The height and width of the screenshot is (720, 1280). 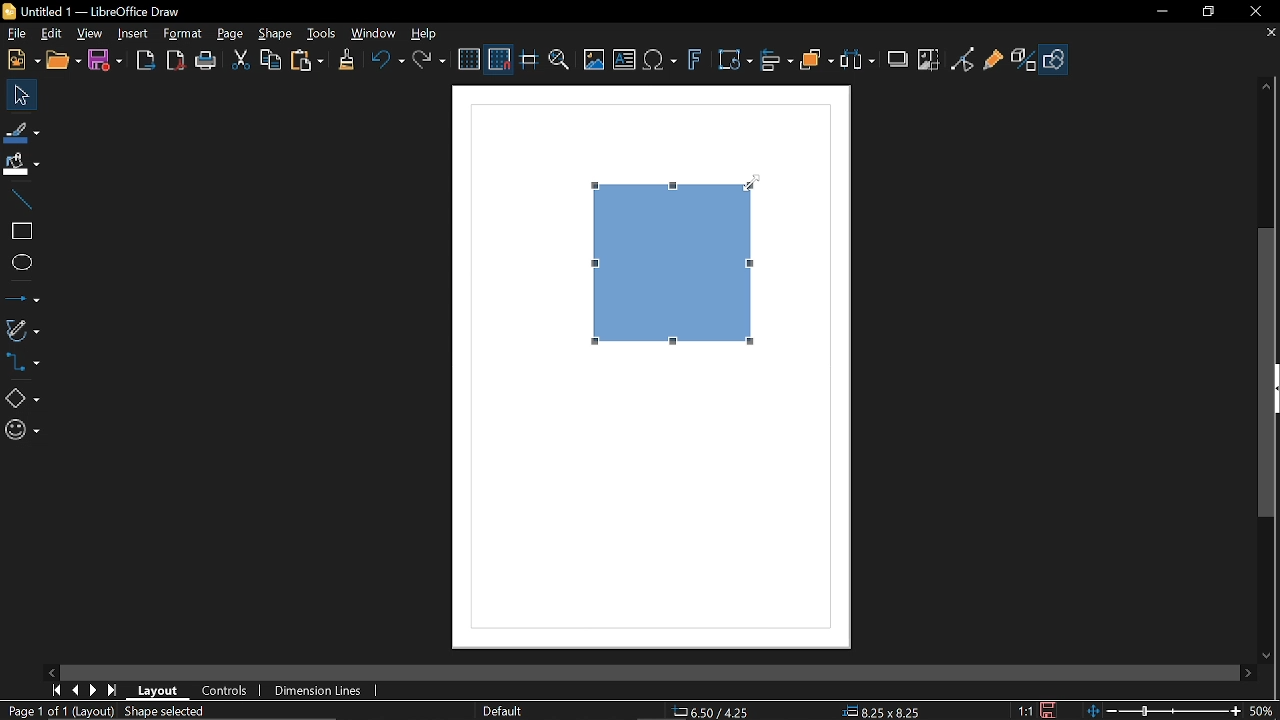 I want to click on Save, so click(x=108, y=59).